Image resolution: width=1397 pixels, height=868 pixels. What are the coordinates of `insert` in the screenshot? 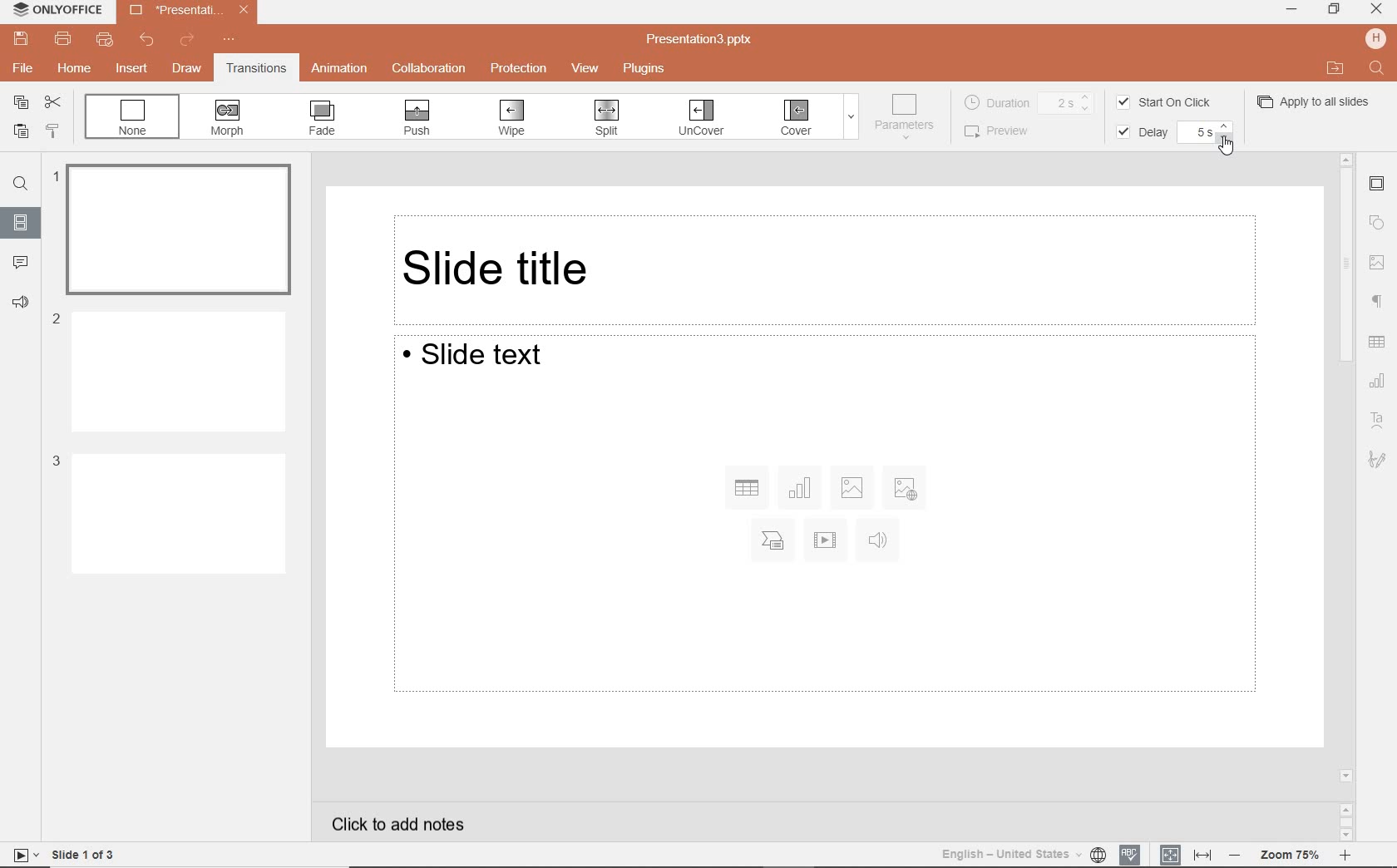 It's located at (131, 67).